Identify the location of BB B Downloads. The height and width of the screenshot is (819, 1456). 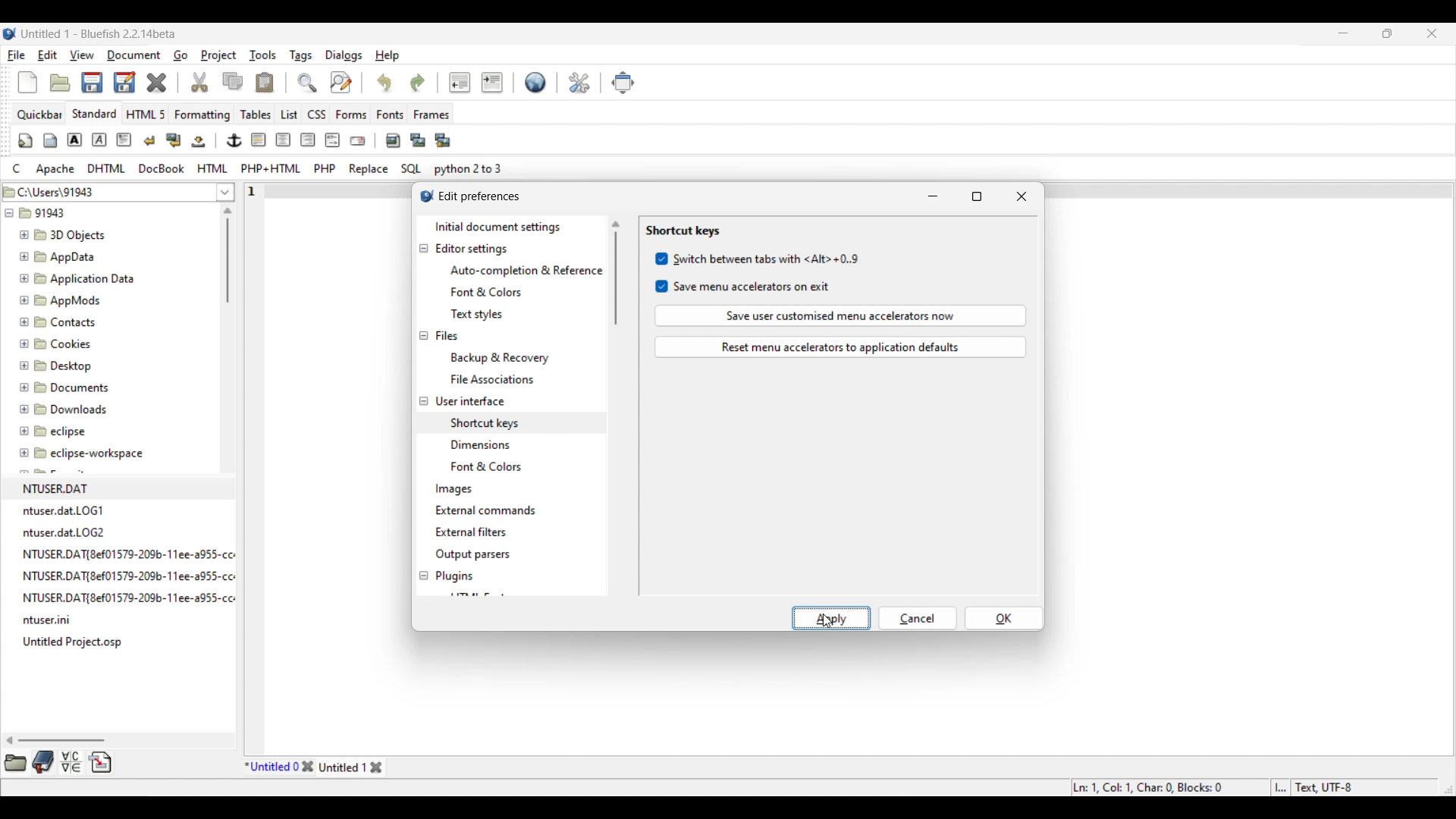
(60, 406).